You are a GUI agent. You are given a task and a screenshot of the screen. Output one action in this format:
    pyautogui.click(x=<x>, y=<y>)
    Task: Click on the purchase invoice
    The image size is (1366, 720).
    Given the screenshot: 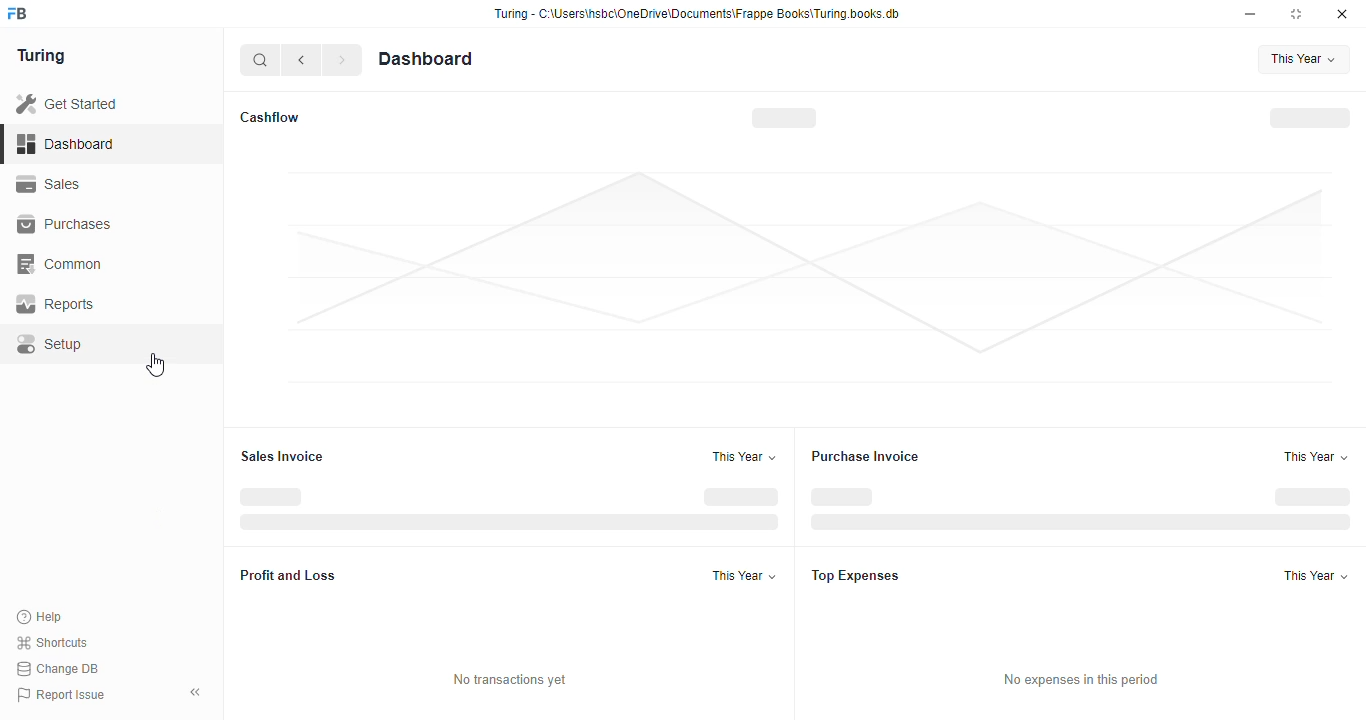 What is the action you would take?
    pyautogui.click(x=865, y=456)
    